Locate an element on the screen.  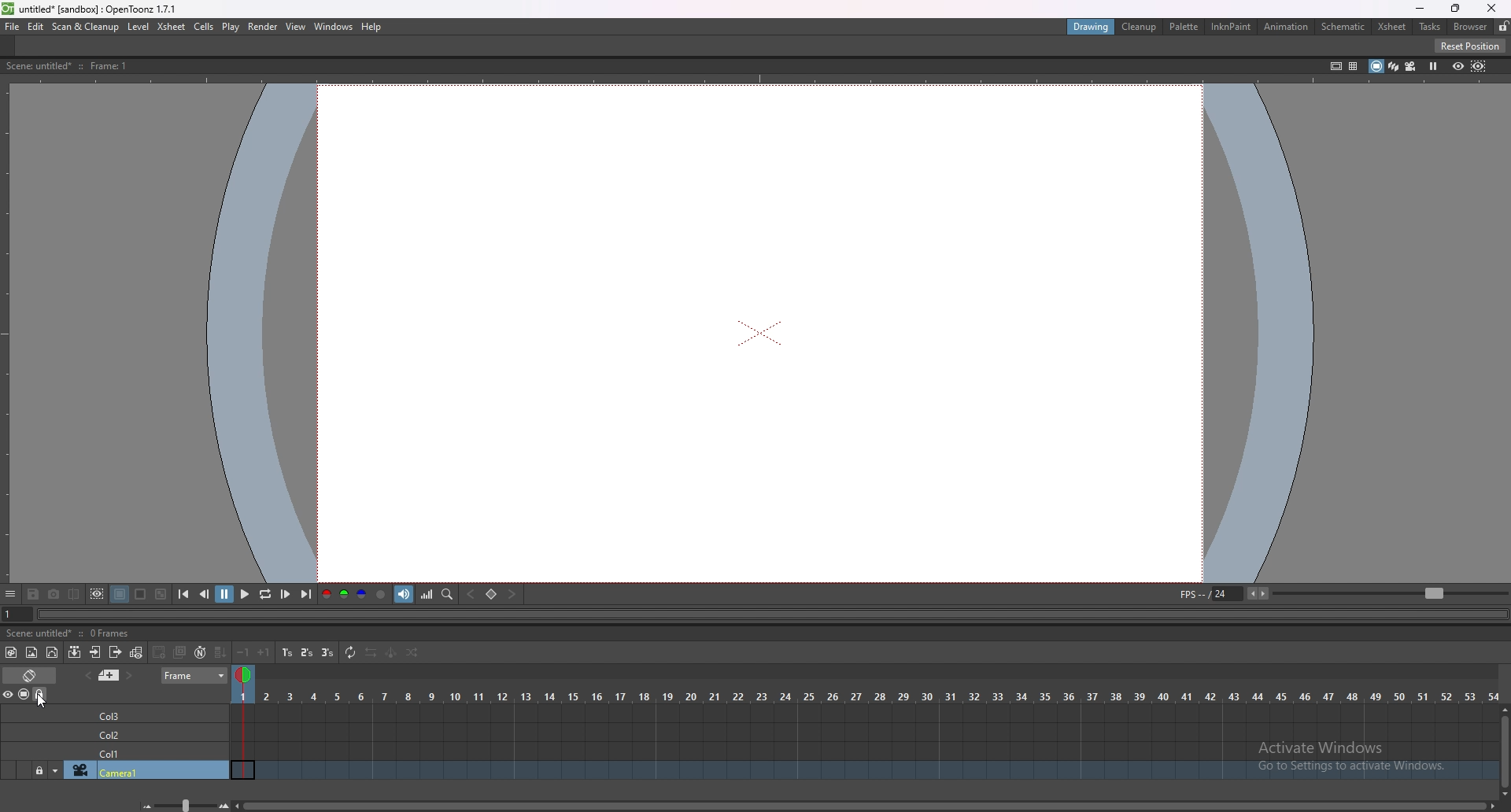
soundtrack is located at coordinates (405, 594).